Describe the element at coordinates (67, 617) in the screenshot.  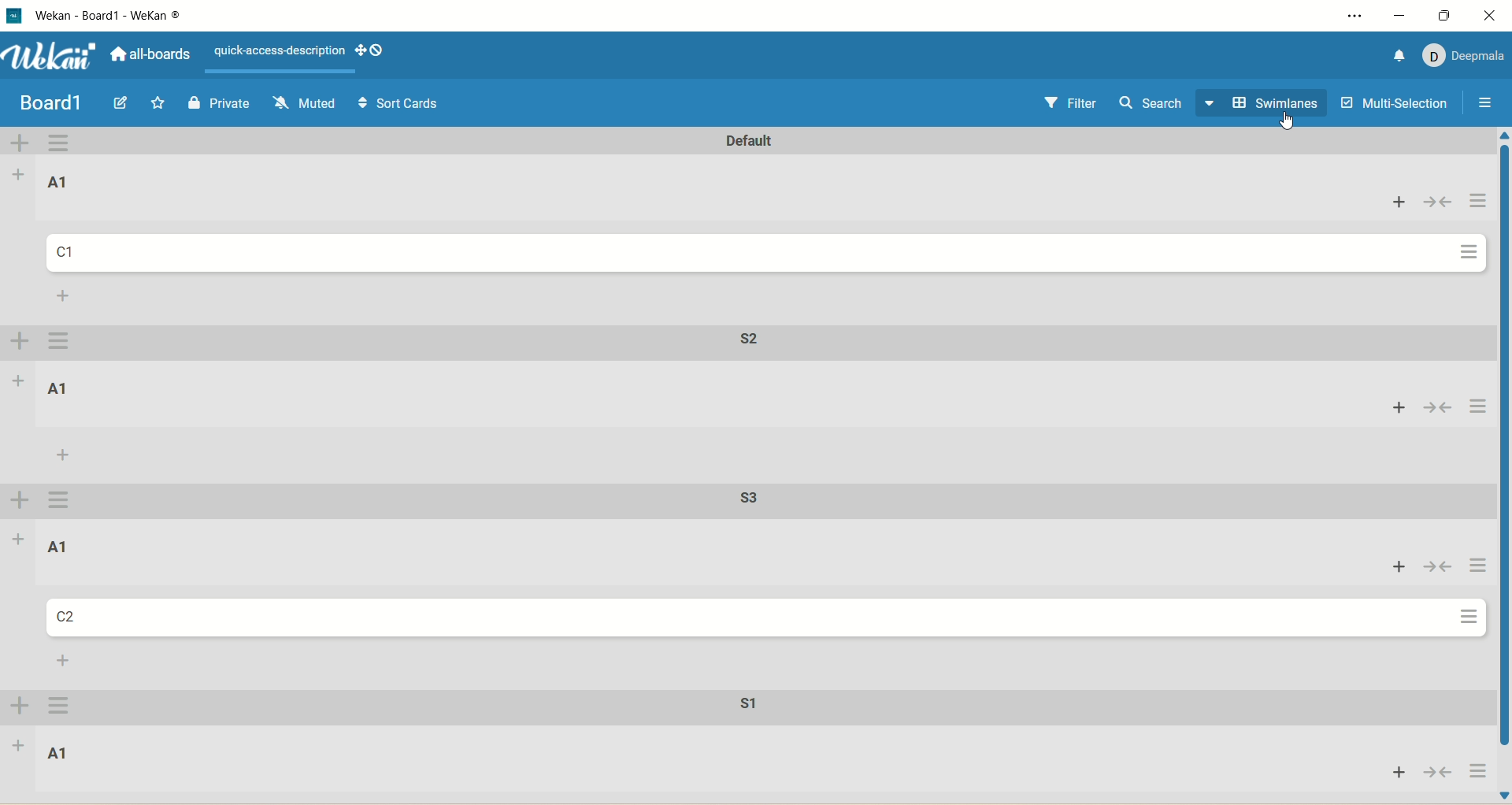
I see `card` at that location.